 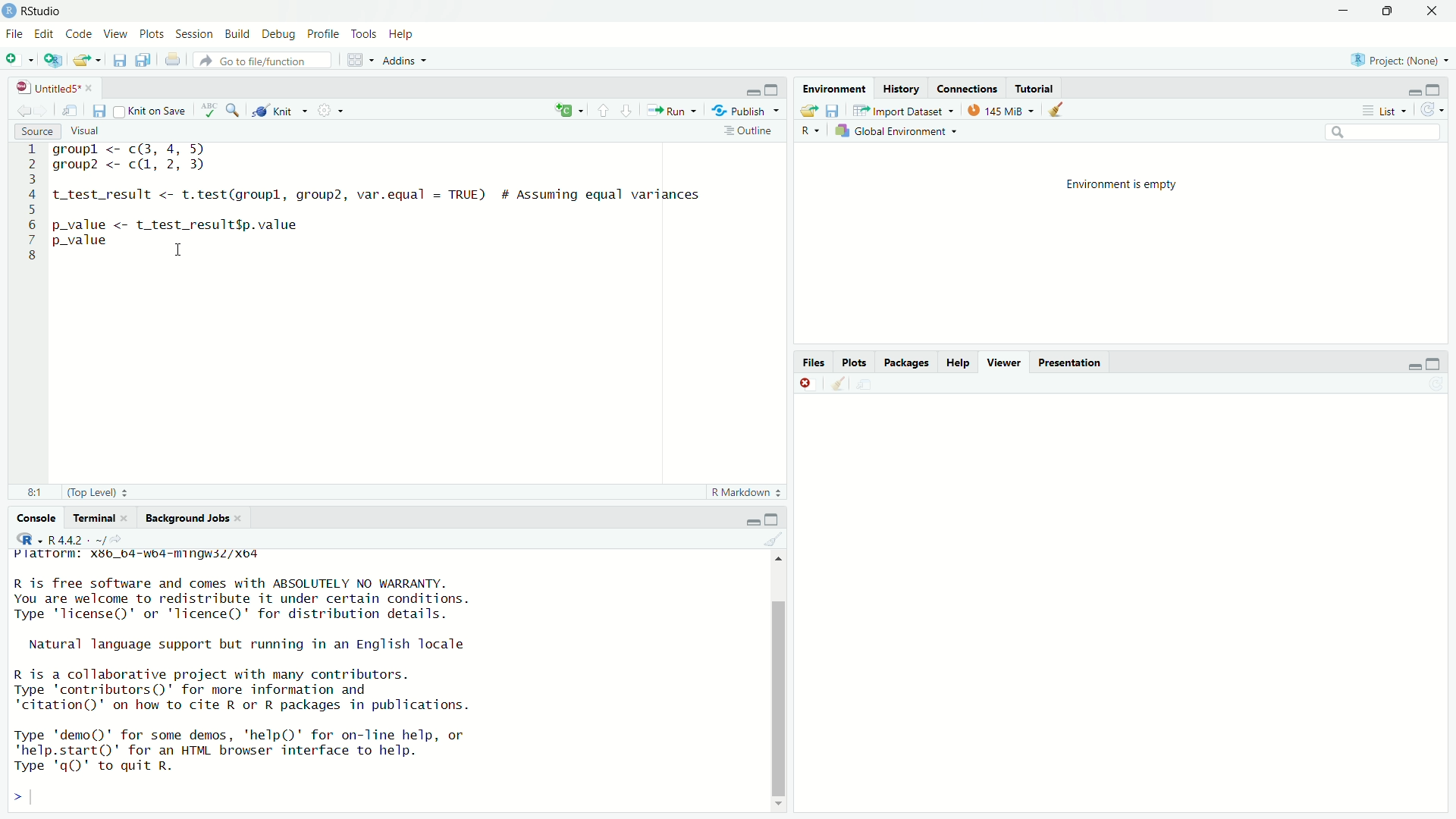 I want to click on clear console, so click(x=836, y=382).